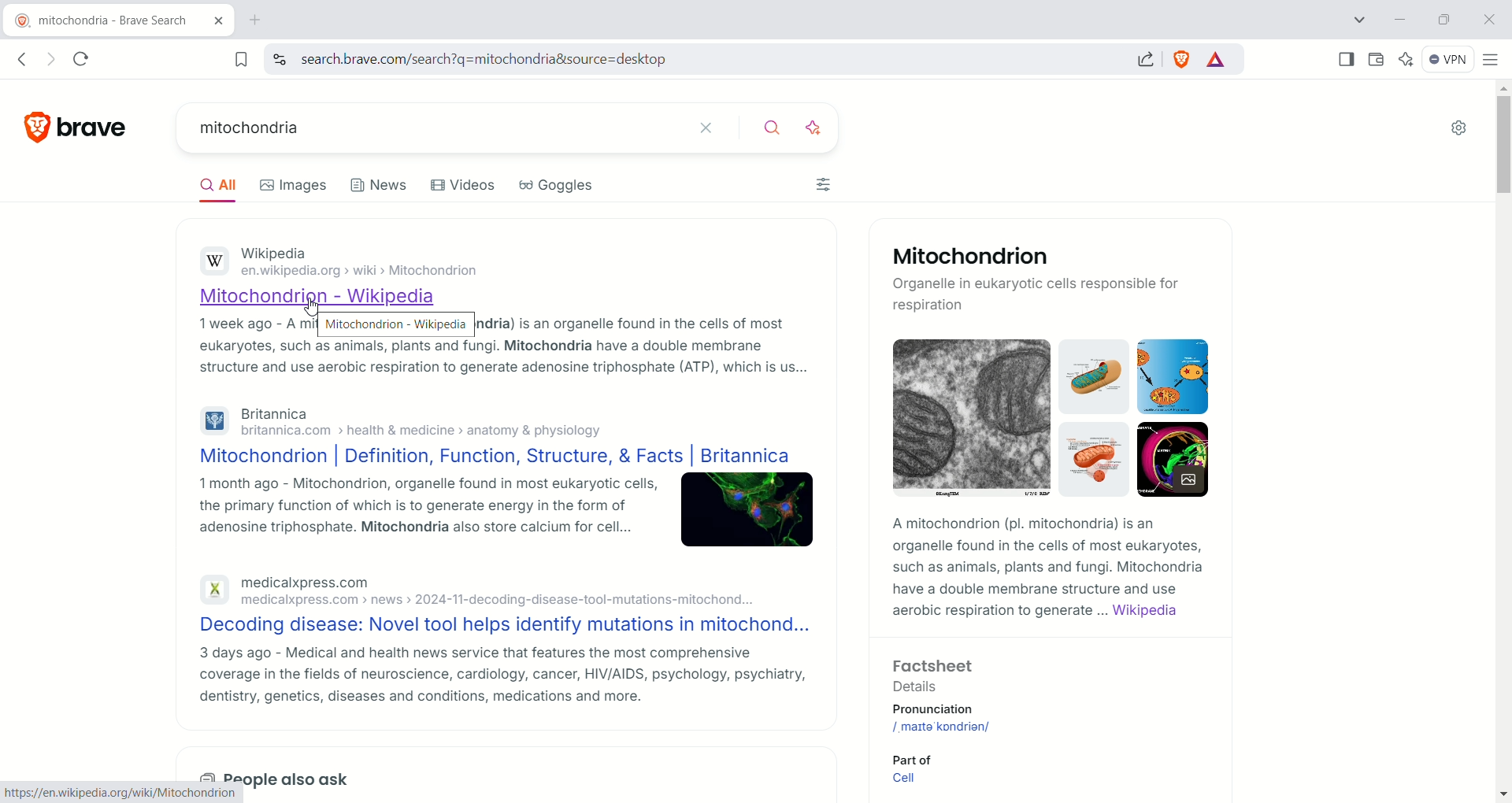 The image size is (1512, 803). What do you see at coordinates (281, 250) in the screenshot?
I see `Wikipedia` at bounding box center [281, 250].